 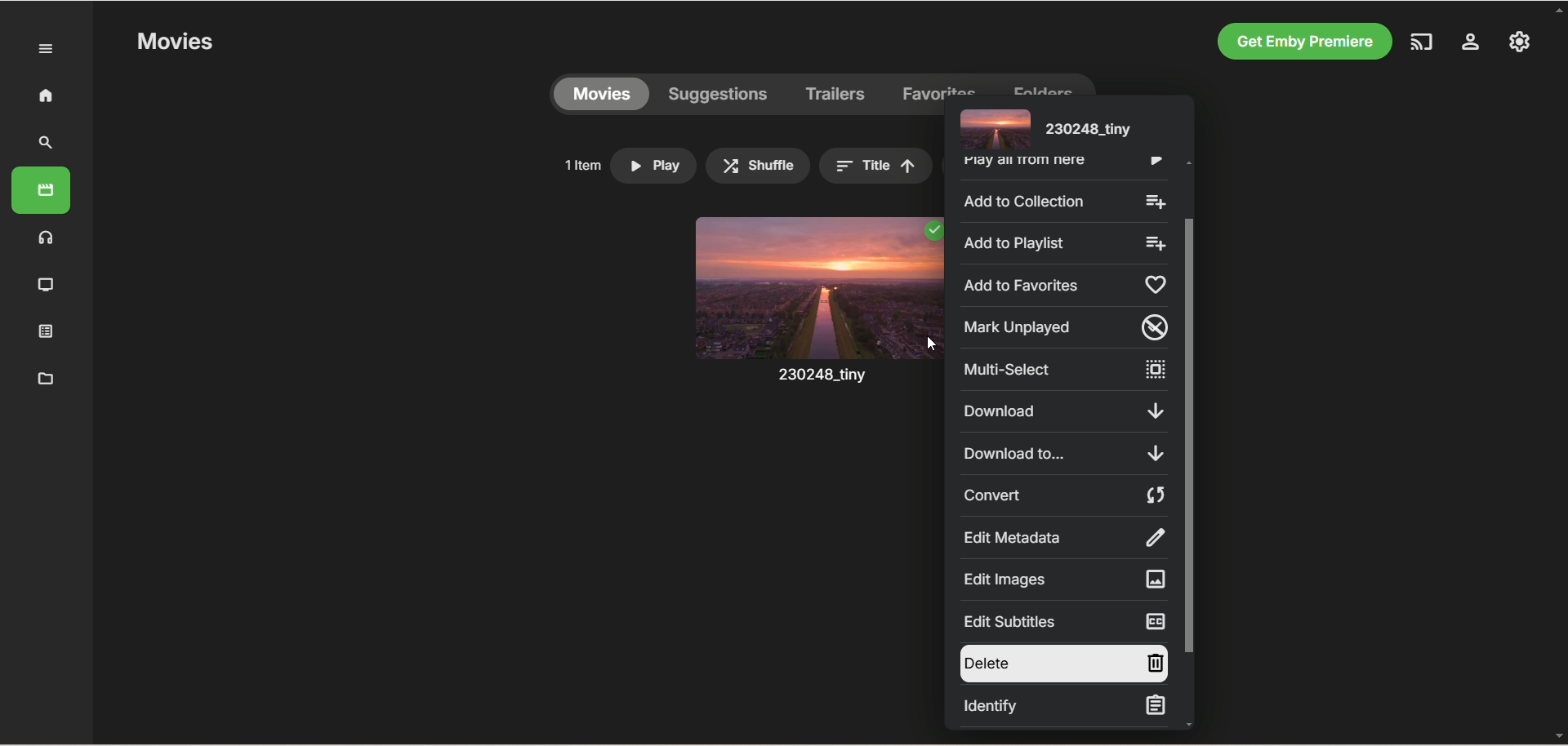 I want to click on identify, so click(x=1062, y=707).